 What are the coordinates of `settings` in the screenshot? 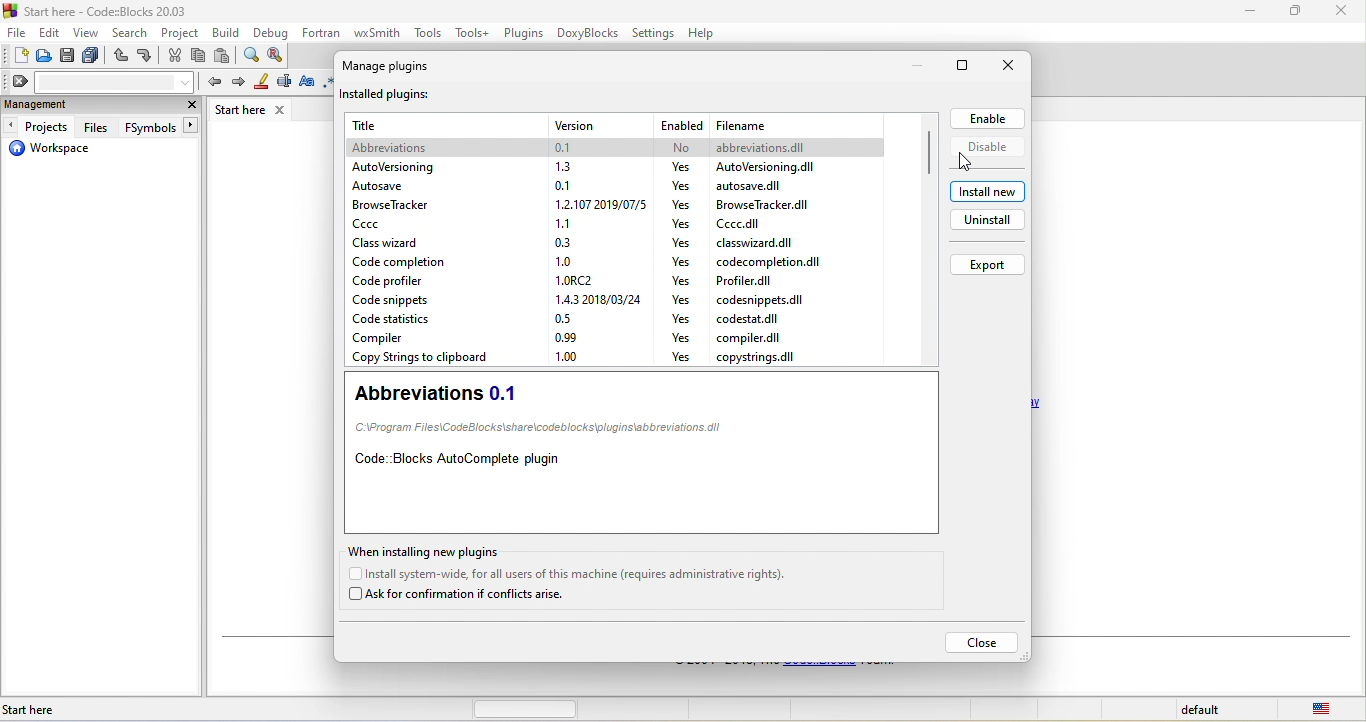 It's located at (654, 34).